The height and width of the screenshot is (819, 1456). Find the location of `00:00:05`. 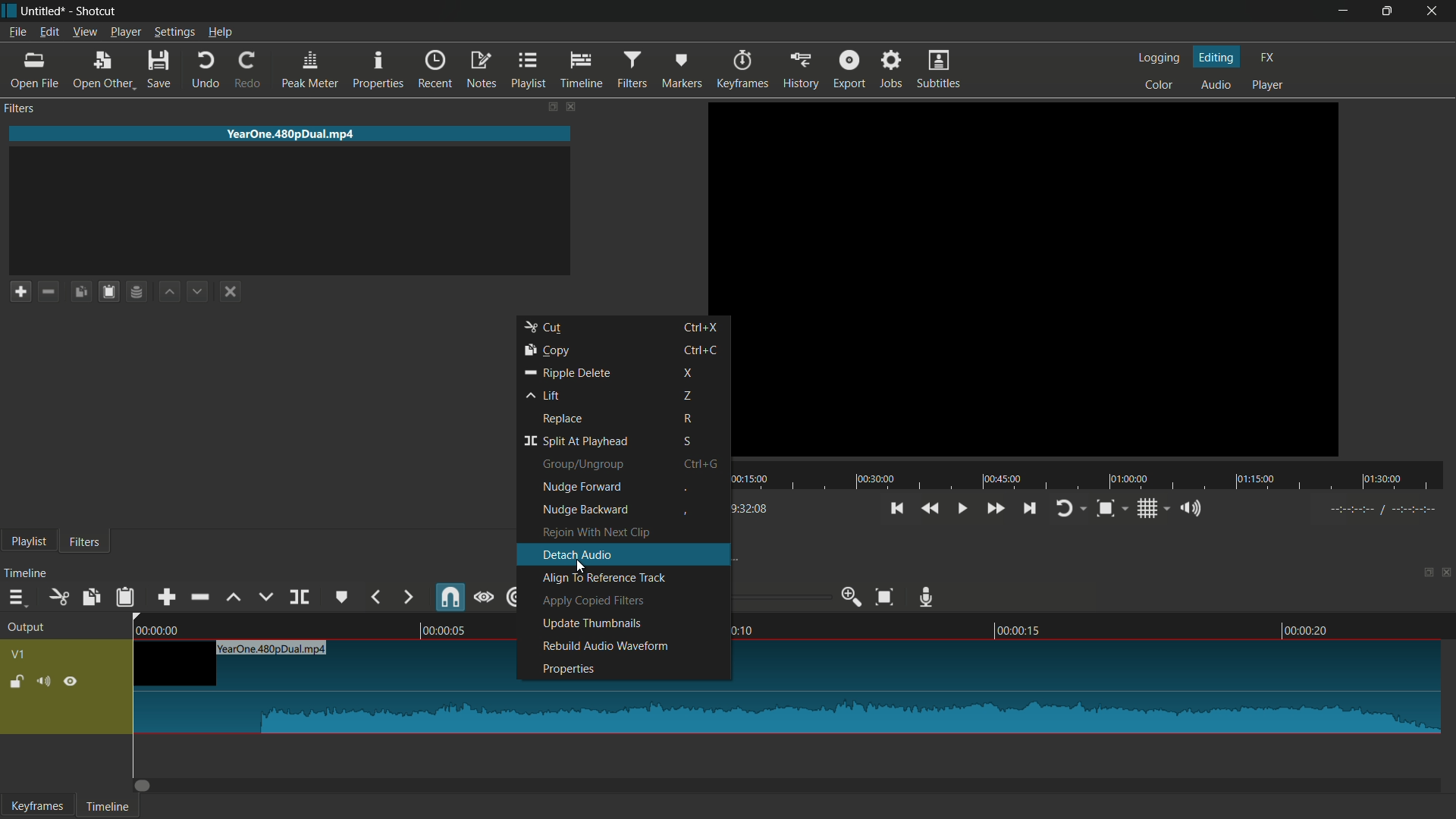

00:00:05 is located at coordinates (453, 631).